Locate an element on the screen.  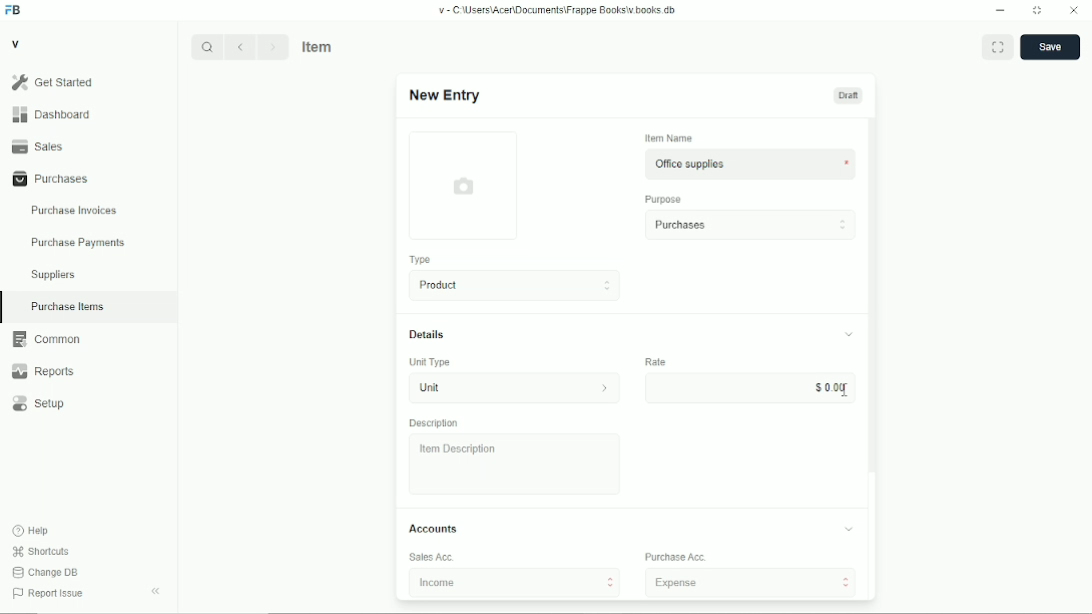
expense is located at coordinates (751, 582).